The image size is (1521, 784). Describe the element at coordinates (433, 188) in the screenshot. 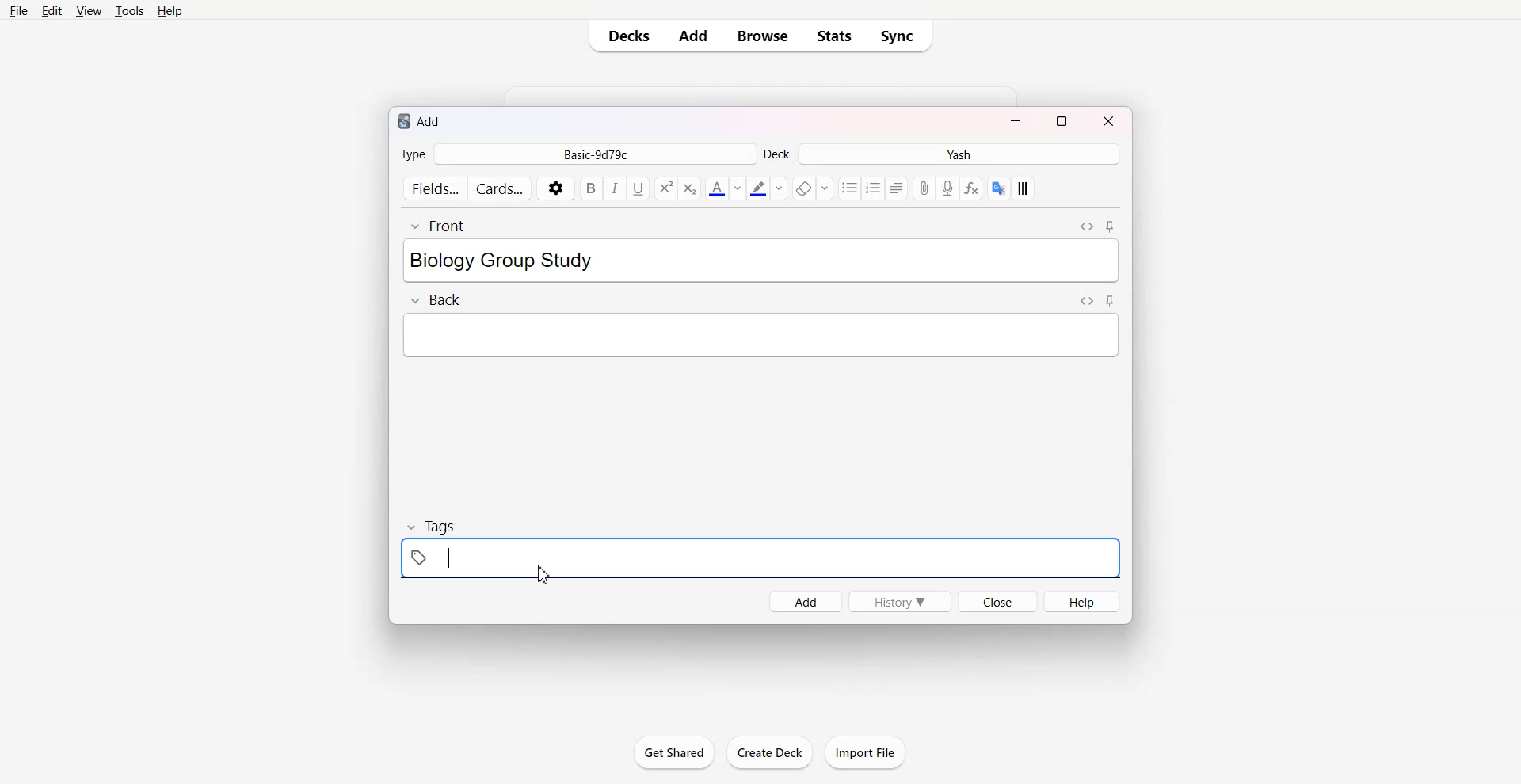

I see `Fields` at that location.